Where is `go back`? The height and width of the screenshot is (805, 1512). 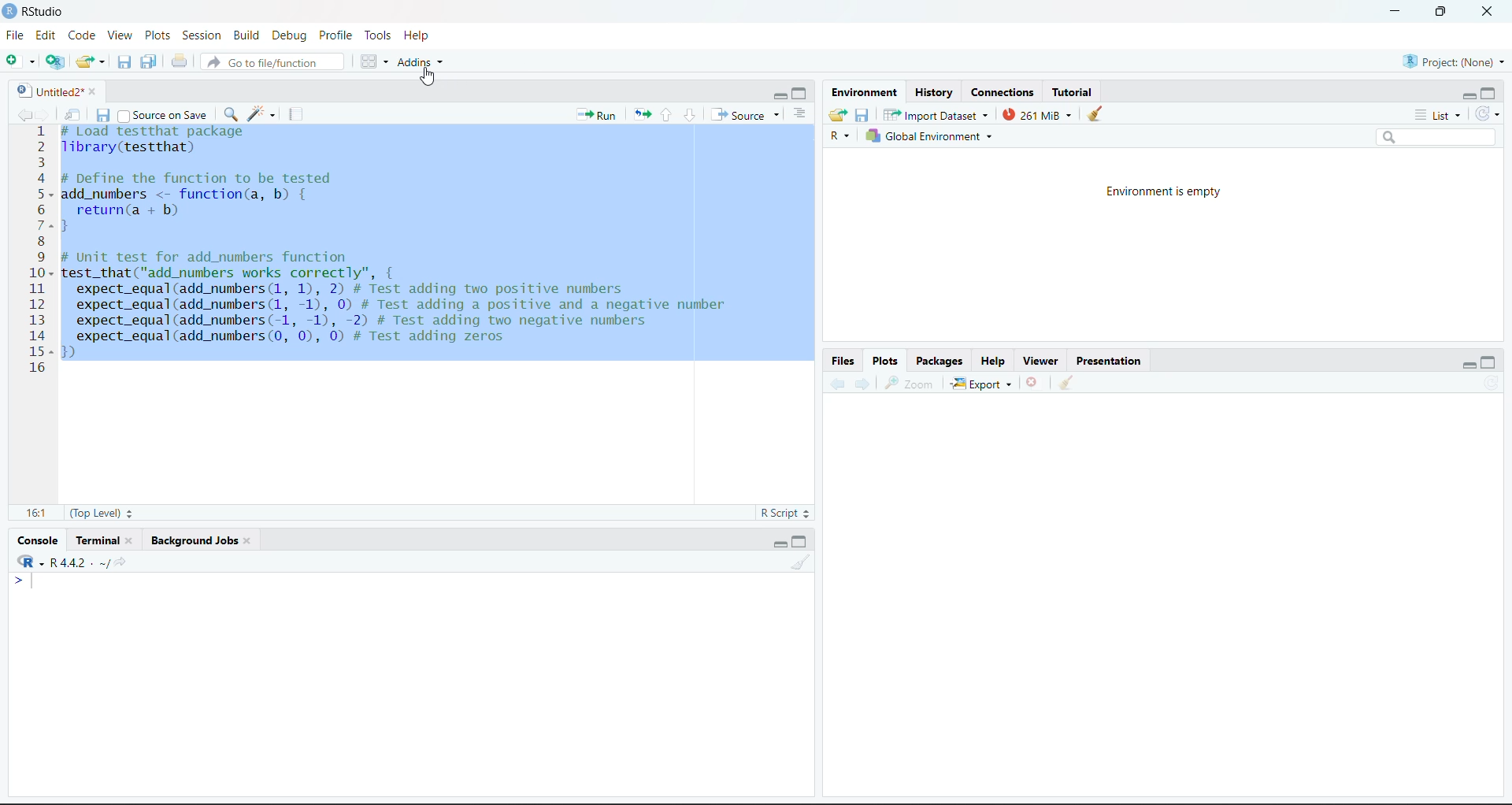
go back is located at coordinates (23, 114).